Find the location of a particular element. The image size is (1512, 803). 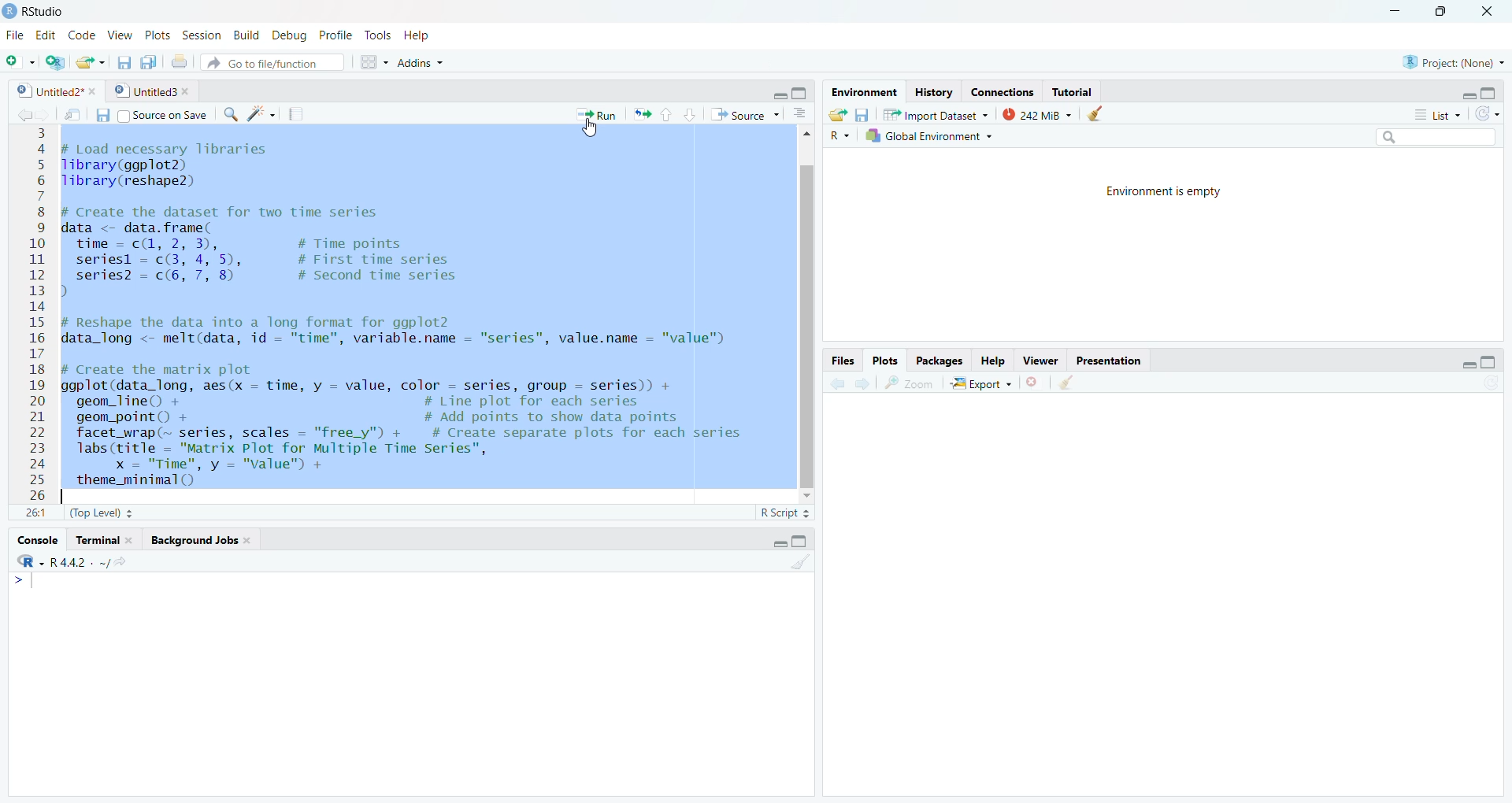

Document outline is located at coordinates (800, 116).